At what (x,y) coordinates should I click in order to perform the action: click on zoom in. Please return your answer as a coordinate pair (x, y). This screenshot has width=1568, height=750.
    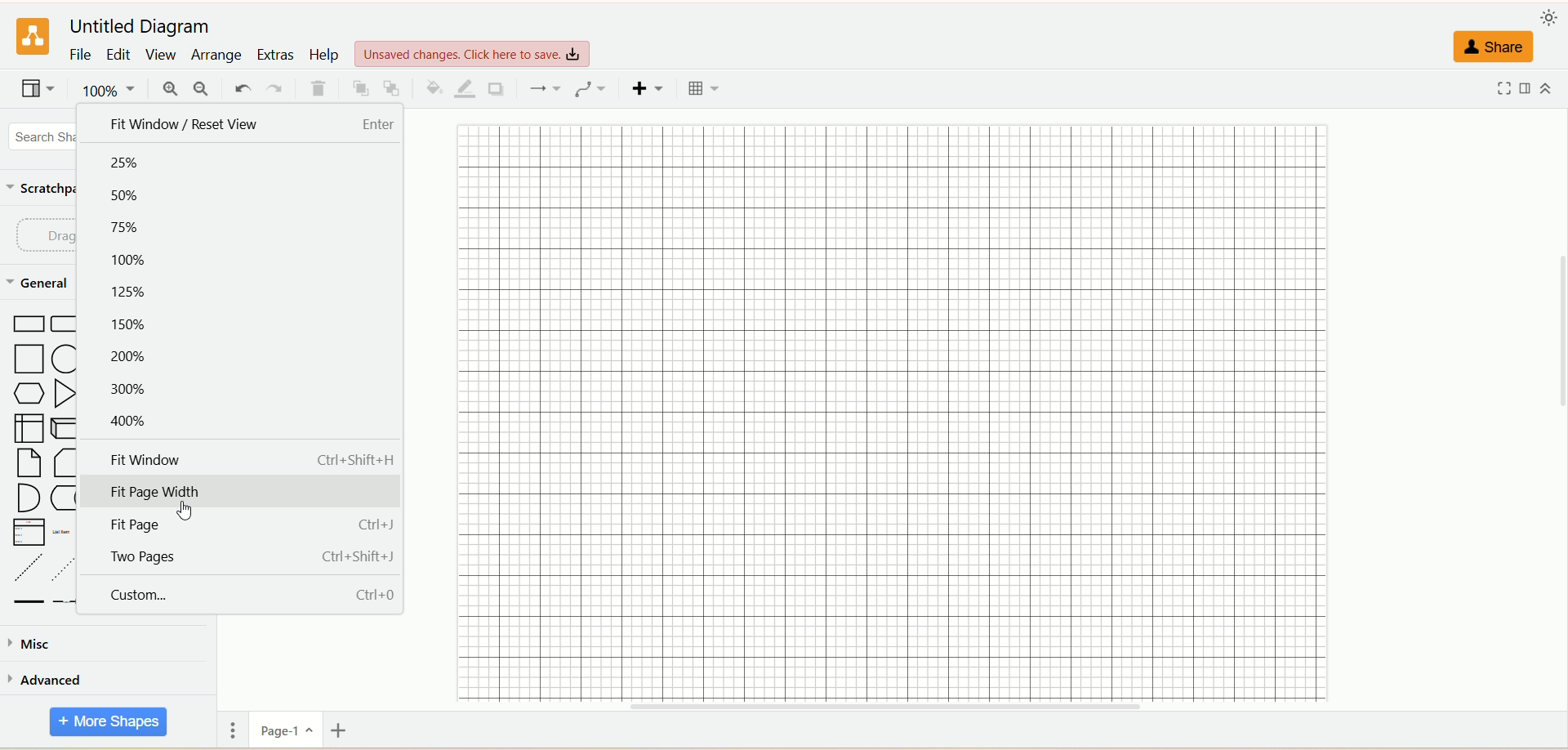
    Looking at the image, I should click on (173, 89).